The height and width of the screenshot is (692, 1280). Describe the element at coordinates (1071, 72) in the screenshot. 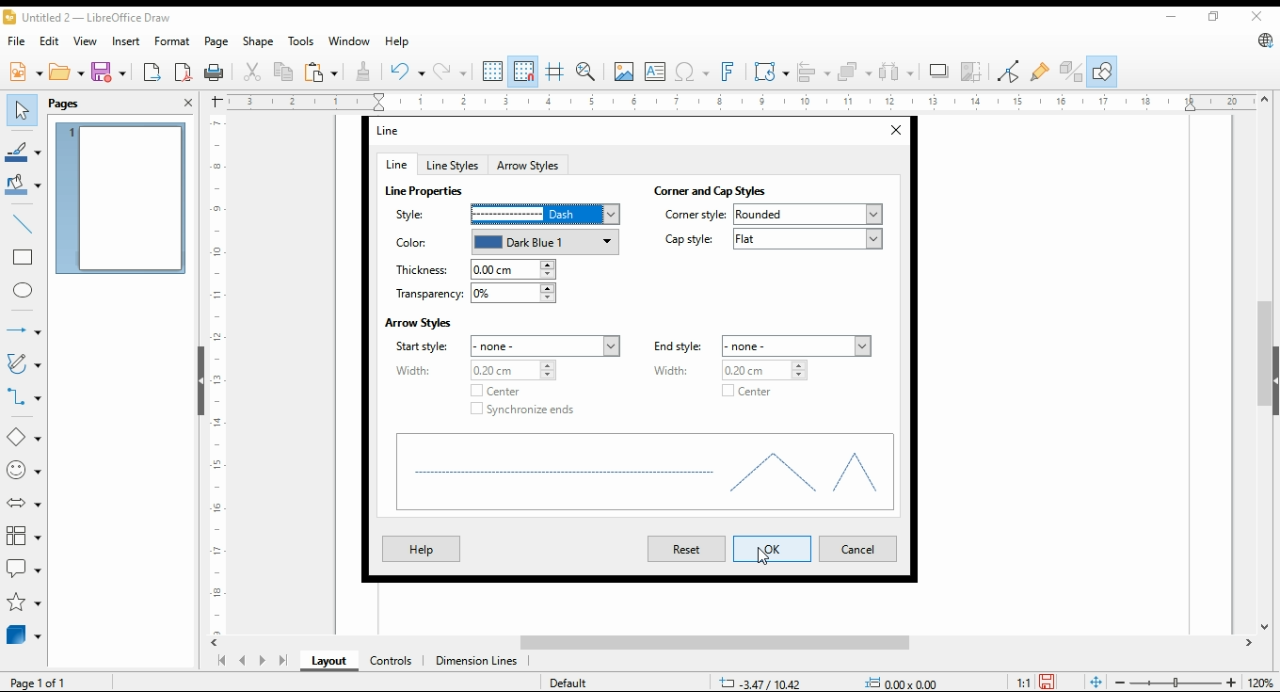

I see `toggle extrusions` at that location.